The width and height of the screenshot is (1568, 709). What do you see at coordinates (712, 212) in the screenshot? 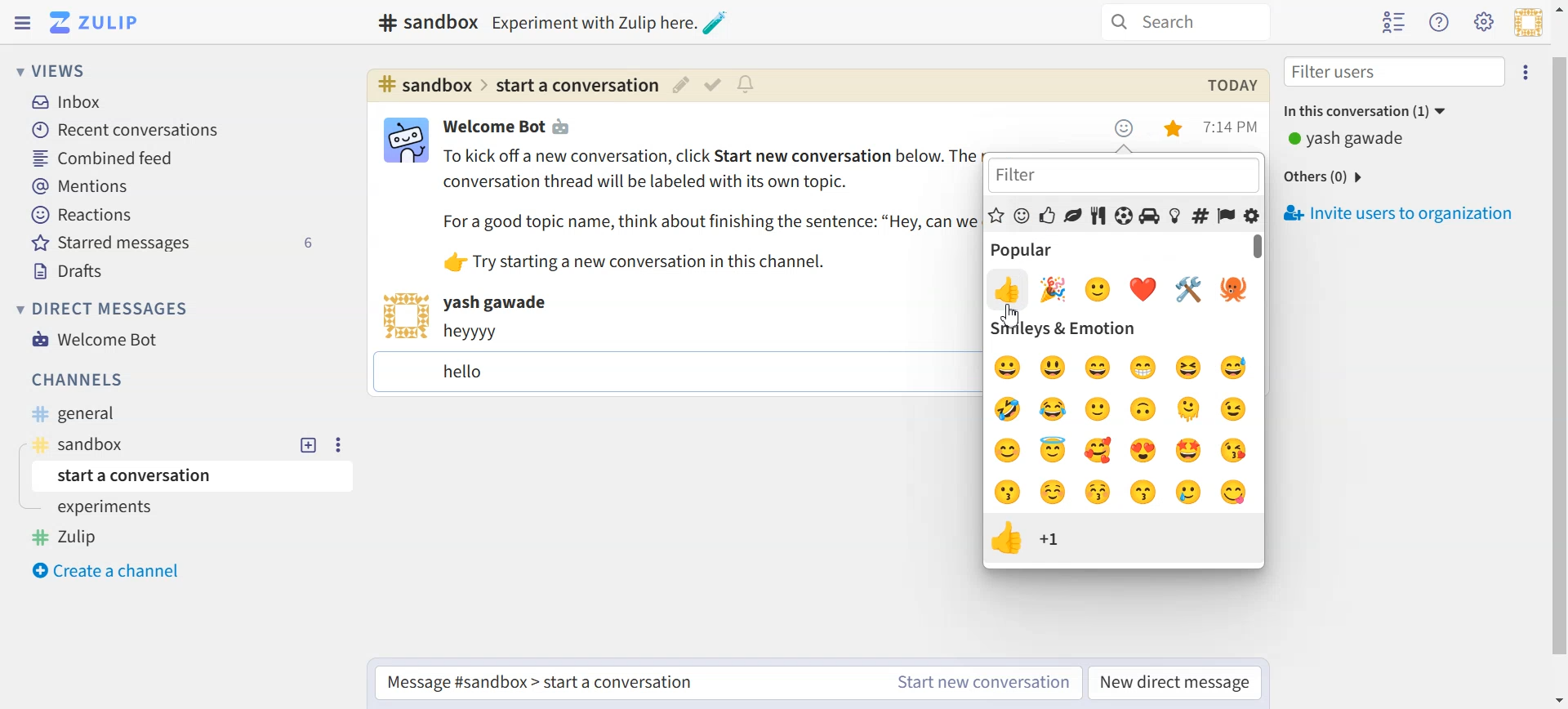
I see `Text` at bounding box center [712, 212].